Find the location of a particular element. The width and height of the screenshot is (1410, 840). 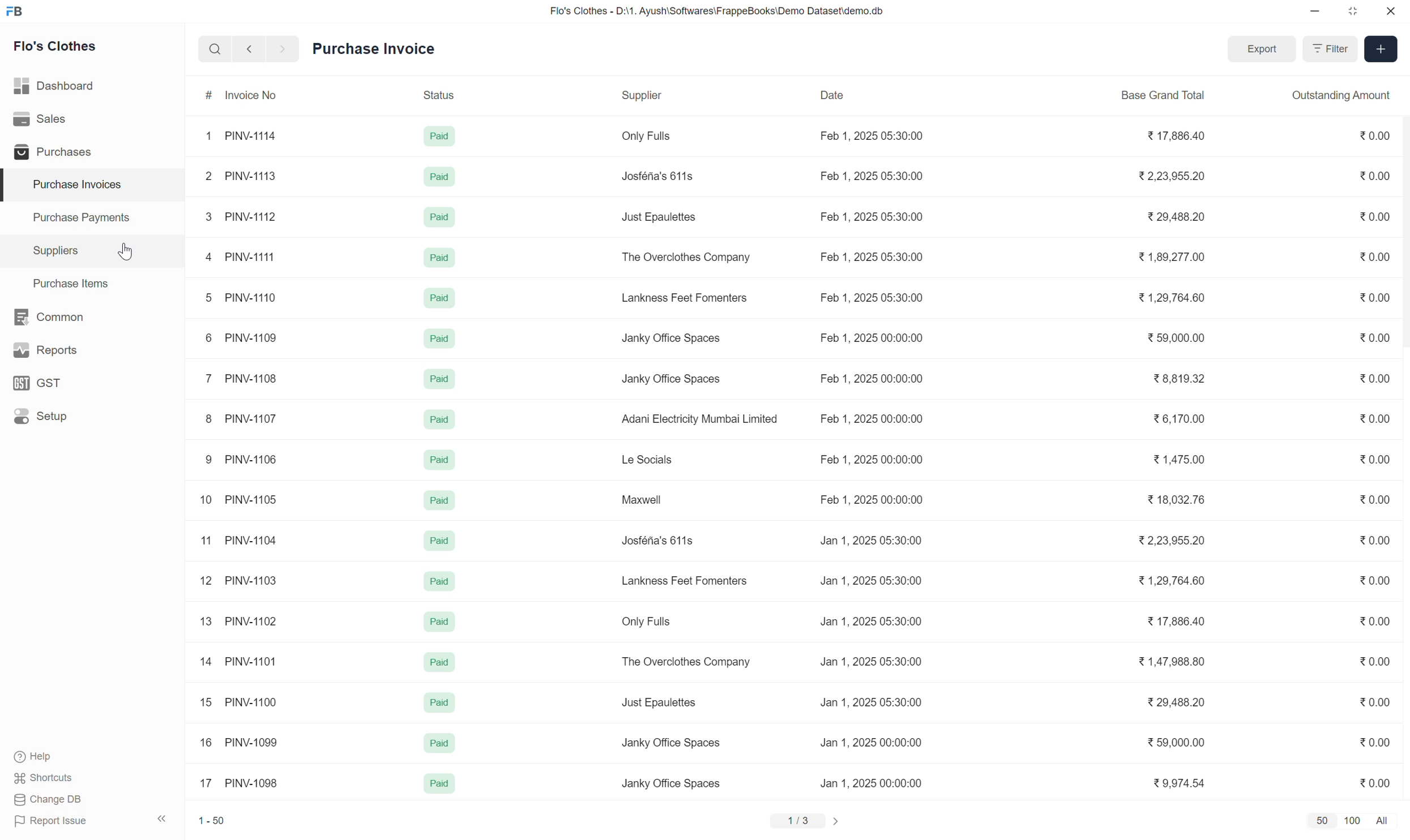

Paid is located at coordinates (439, 420).